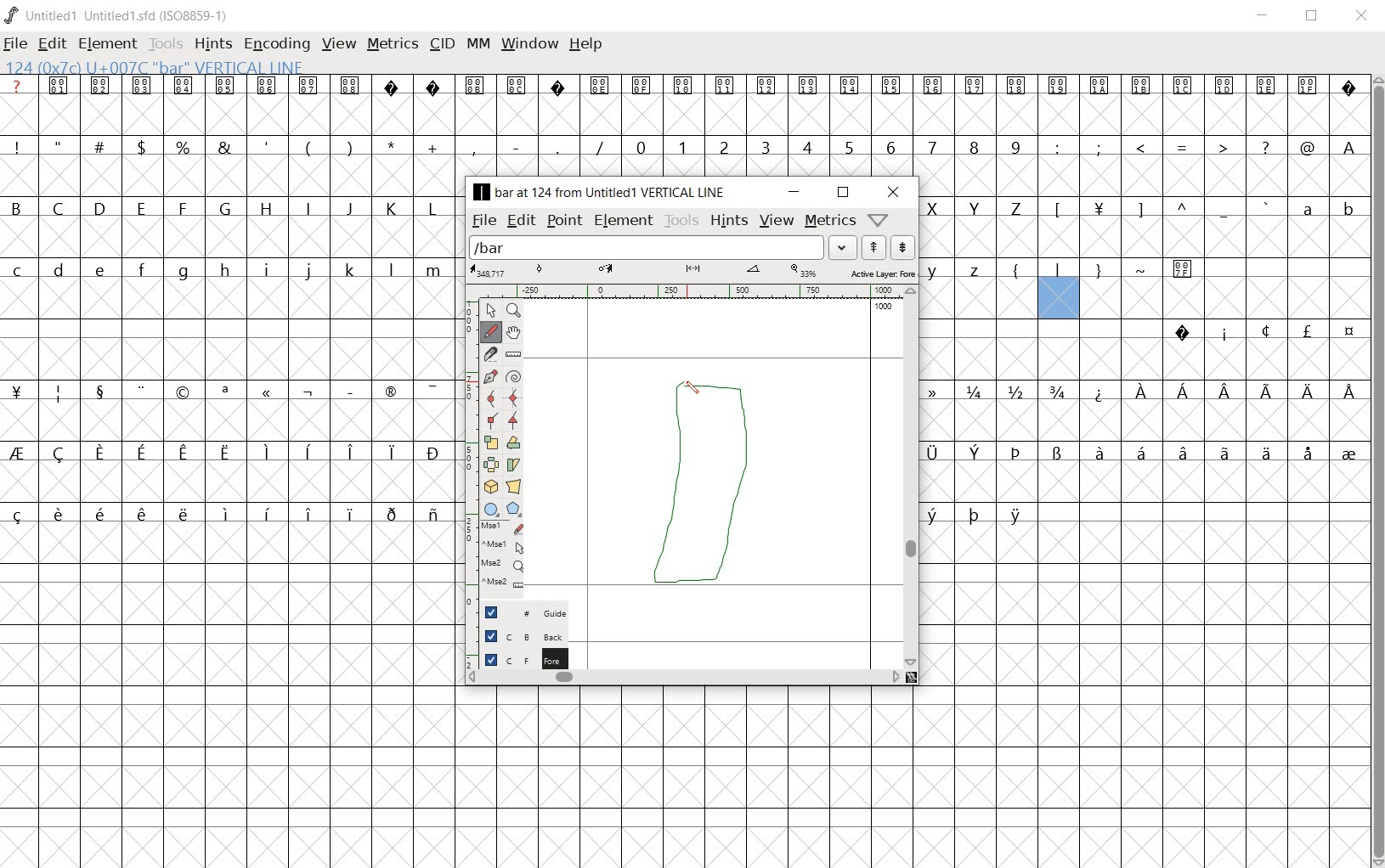 The image size is (1385, 868). What do you see at coordinates (1143, 480) in the screenshot?
I see `empty cells` at bounding box center [1143, 480].